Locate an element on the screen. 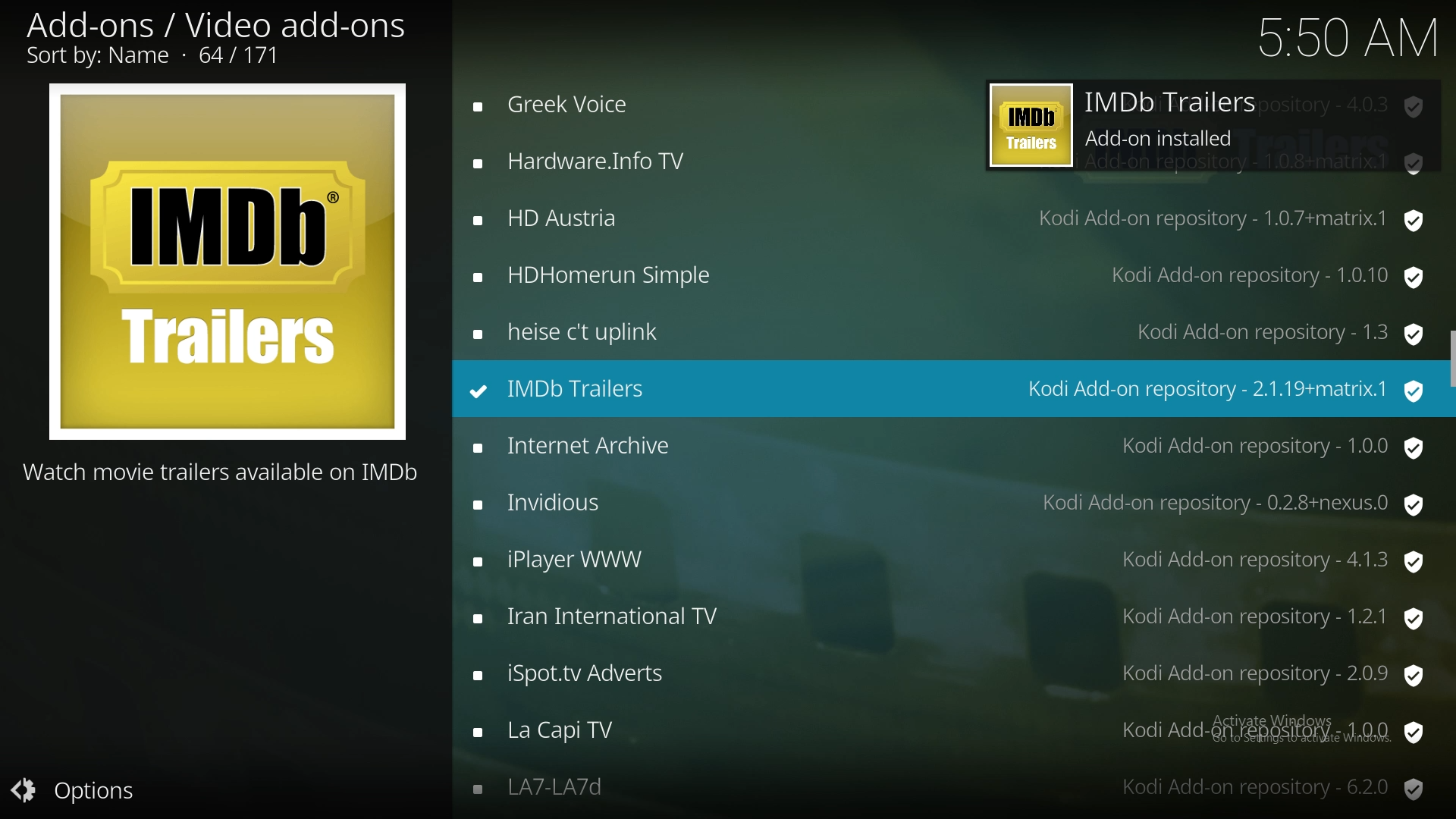 This screenshot has height=819, width=1456. time is located at coordinates (1338, 39).